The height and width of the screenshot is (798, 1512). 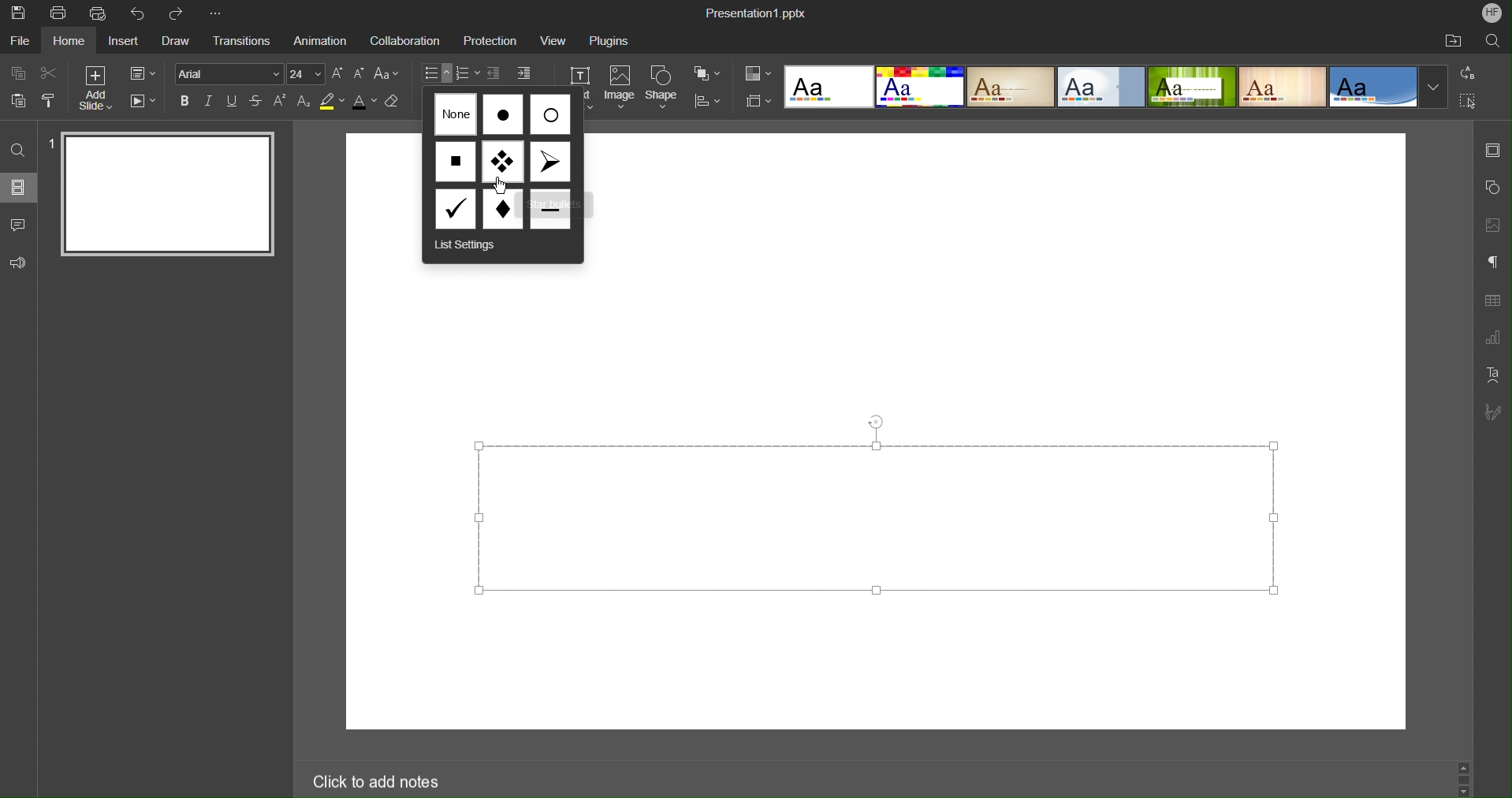 I want to click on View, so click(x=550, y=40).